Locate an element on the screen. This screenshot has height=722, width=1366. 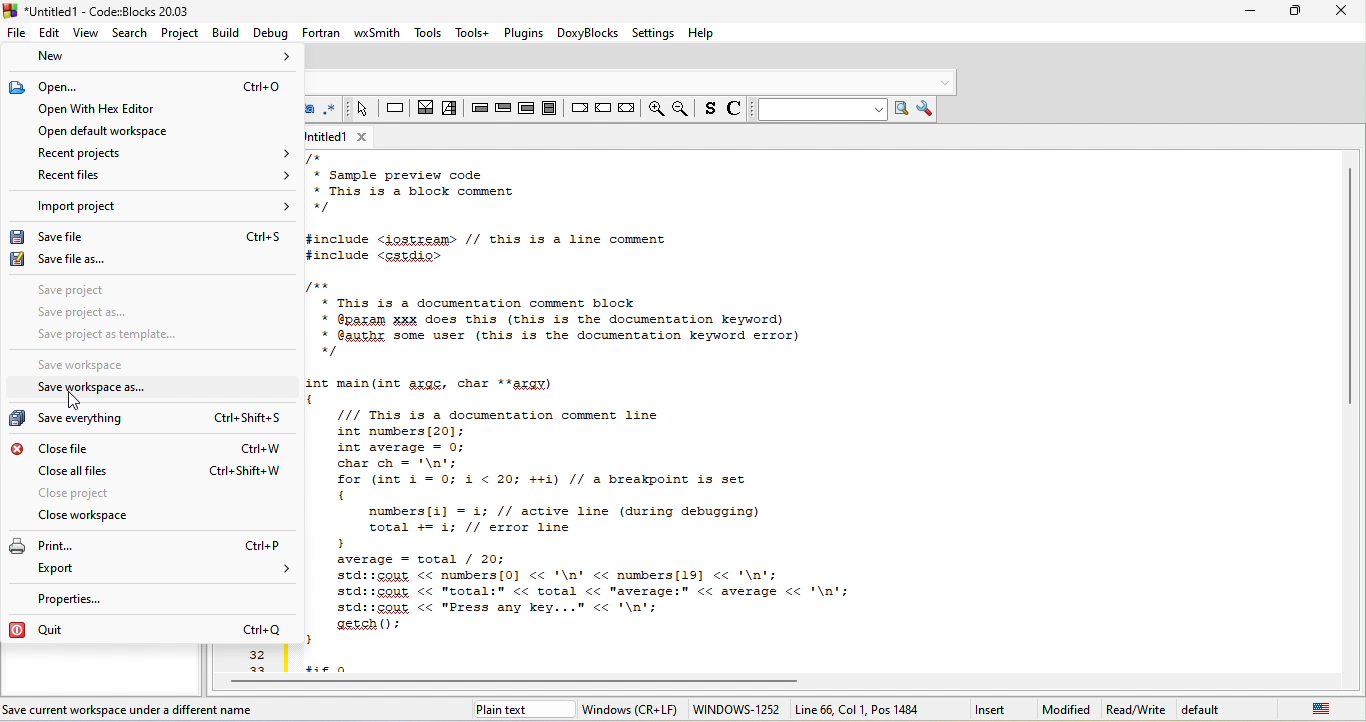
block is located at coordinates (549, 107).